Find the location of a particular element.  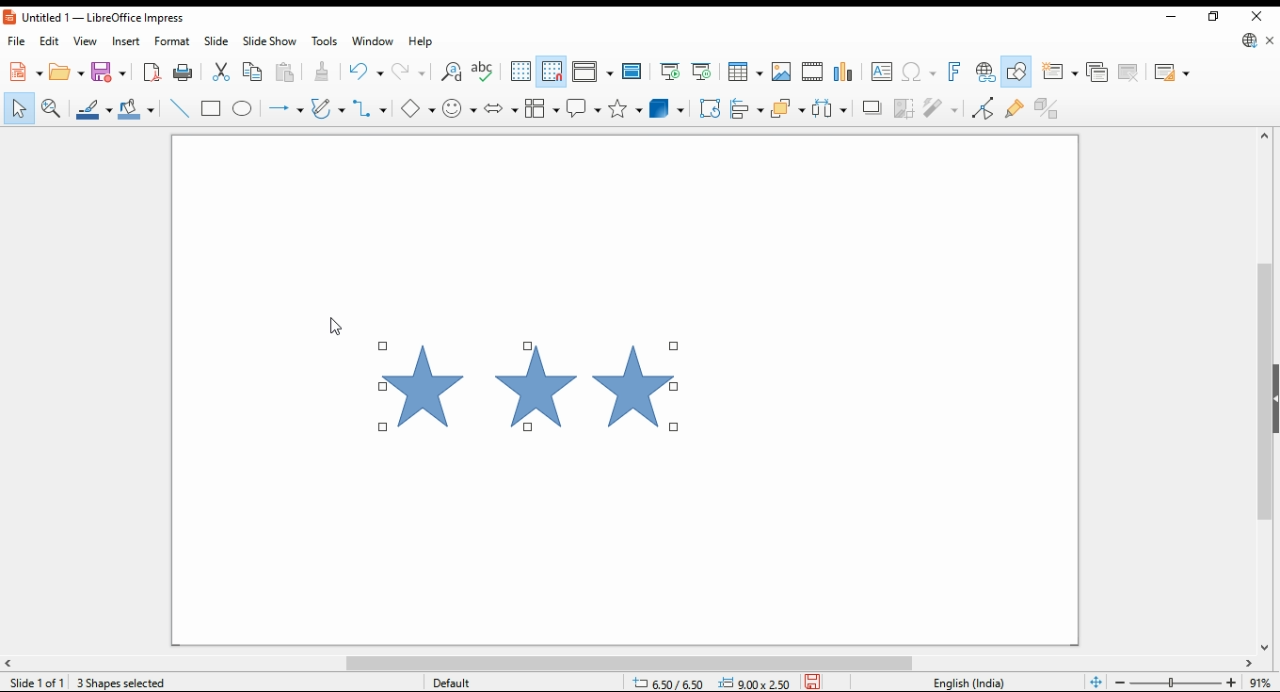

align objects is located at coordinates (748, 109).